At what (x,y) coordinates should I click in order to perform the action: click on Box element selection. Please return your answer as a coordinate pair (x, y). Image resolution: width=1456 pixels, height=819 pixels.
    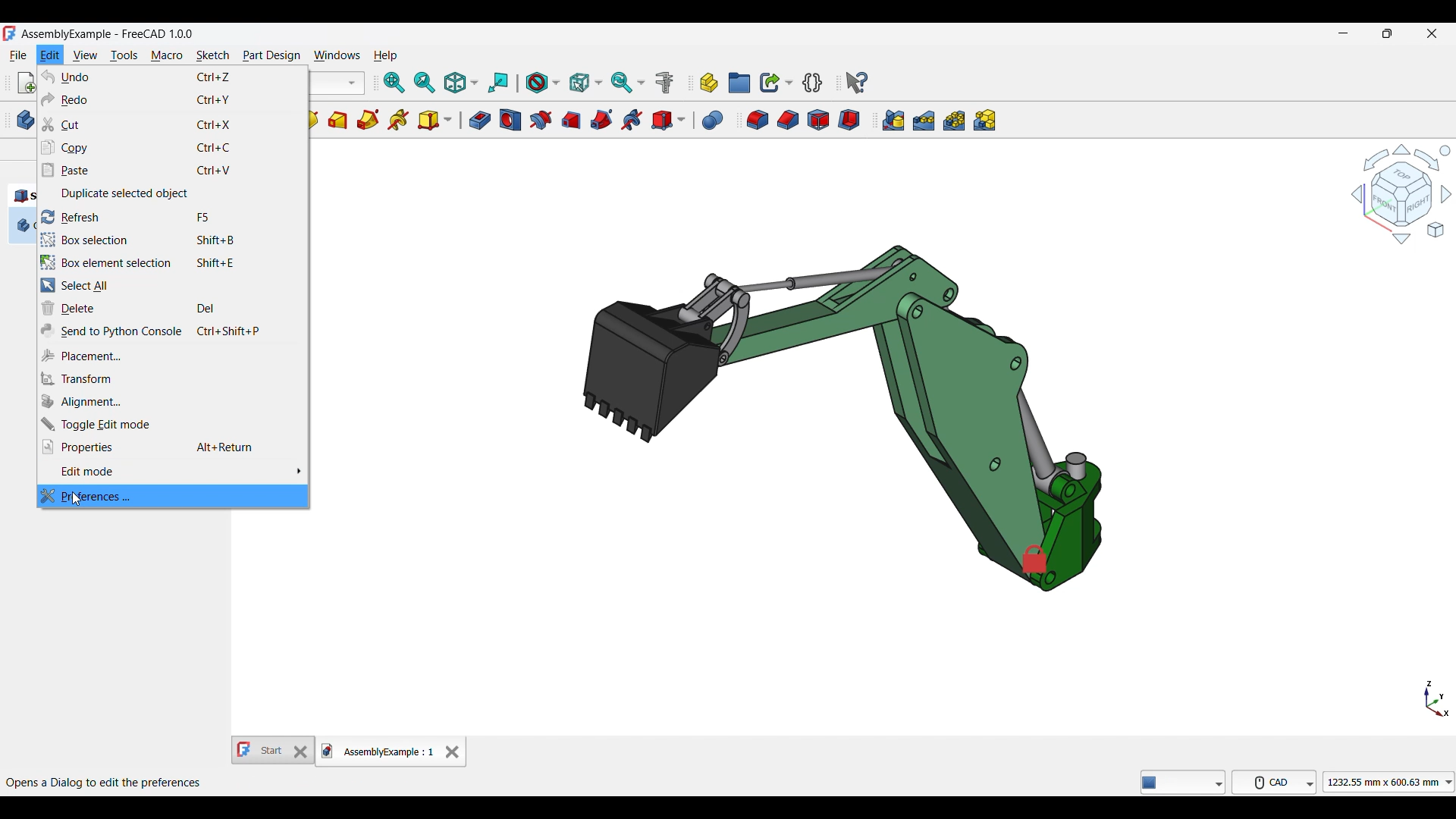
    Looking at the image, I should click on (173, 262).